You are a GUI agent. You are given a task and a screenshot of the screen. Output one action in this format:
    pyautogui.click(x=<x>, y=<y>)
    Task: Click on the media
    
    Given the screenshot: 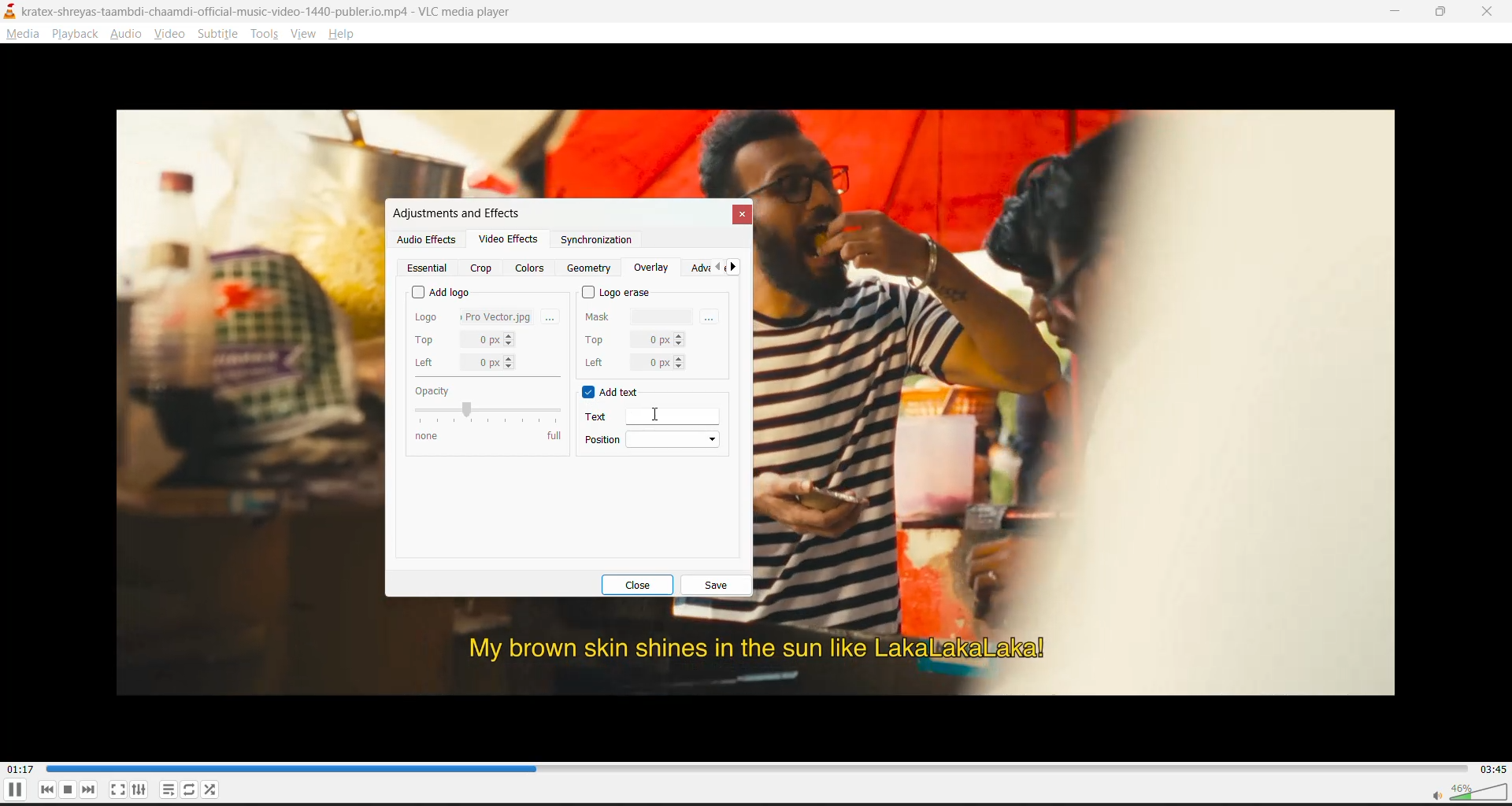 What is the action you would take?
    pyautogui.click(x=24, y=37)
    